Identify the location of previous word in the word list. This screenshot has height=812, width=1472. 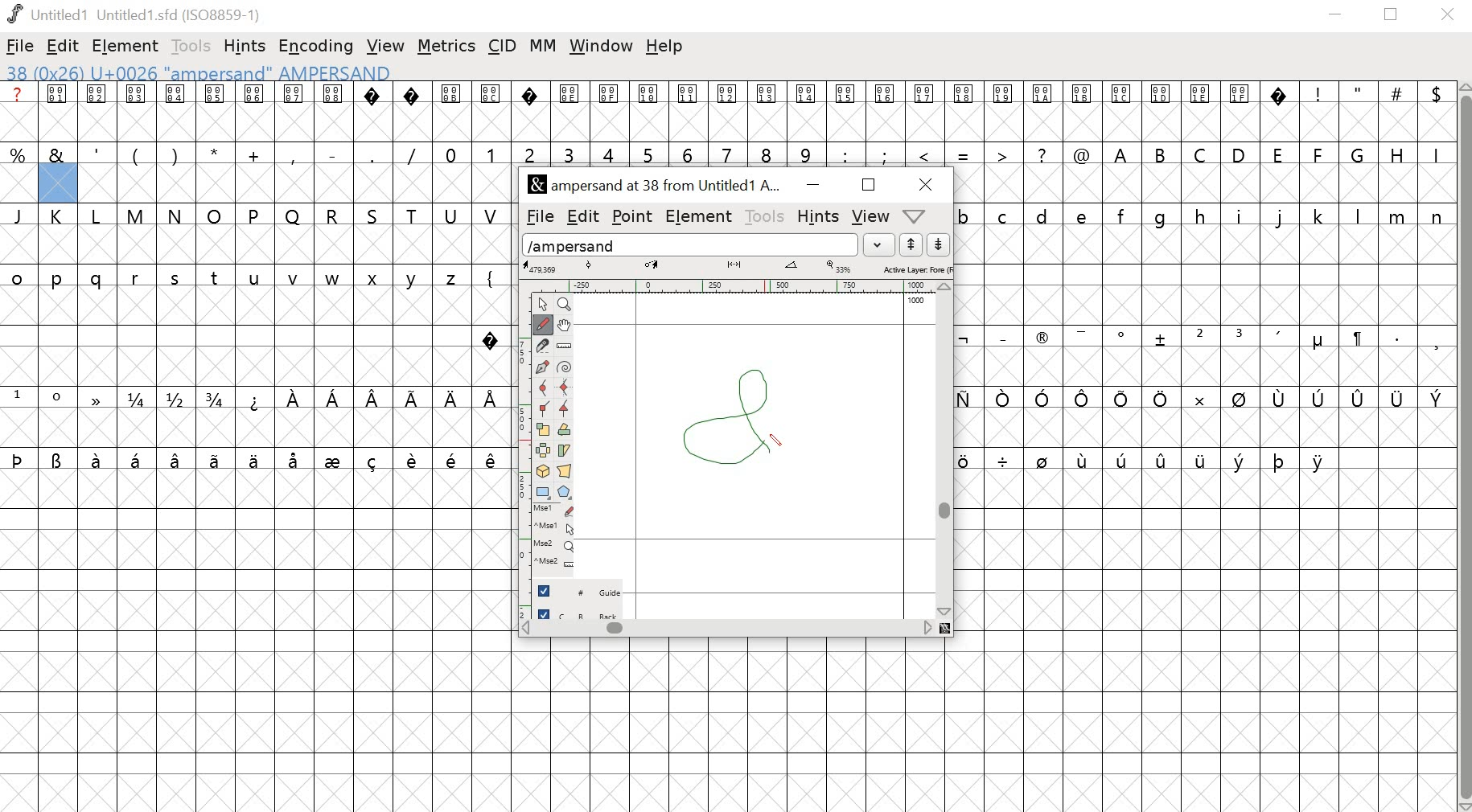
(911, 245).